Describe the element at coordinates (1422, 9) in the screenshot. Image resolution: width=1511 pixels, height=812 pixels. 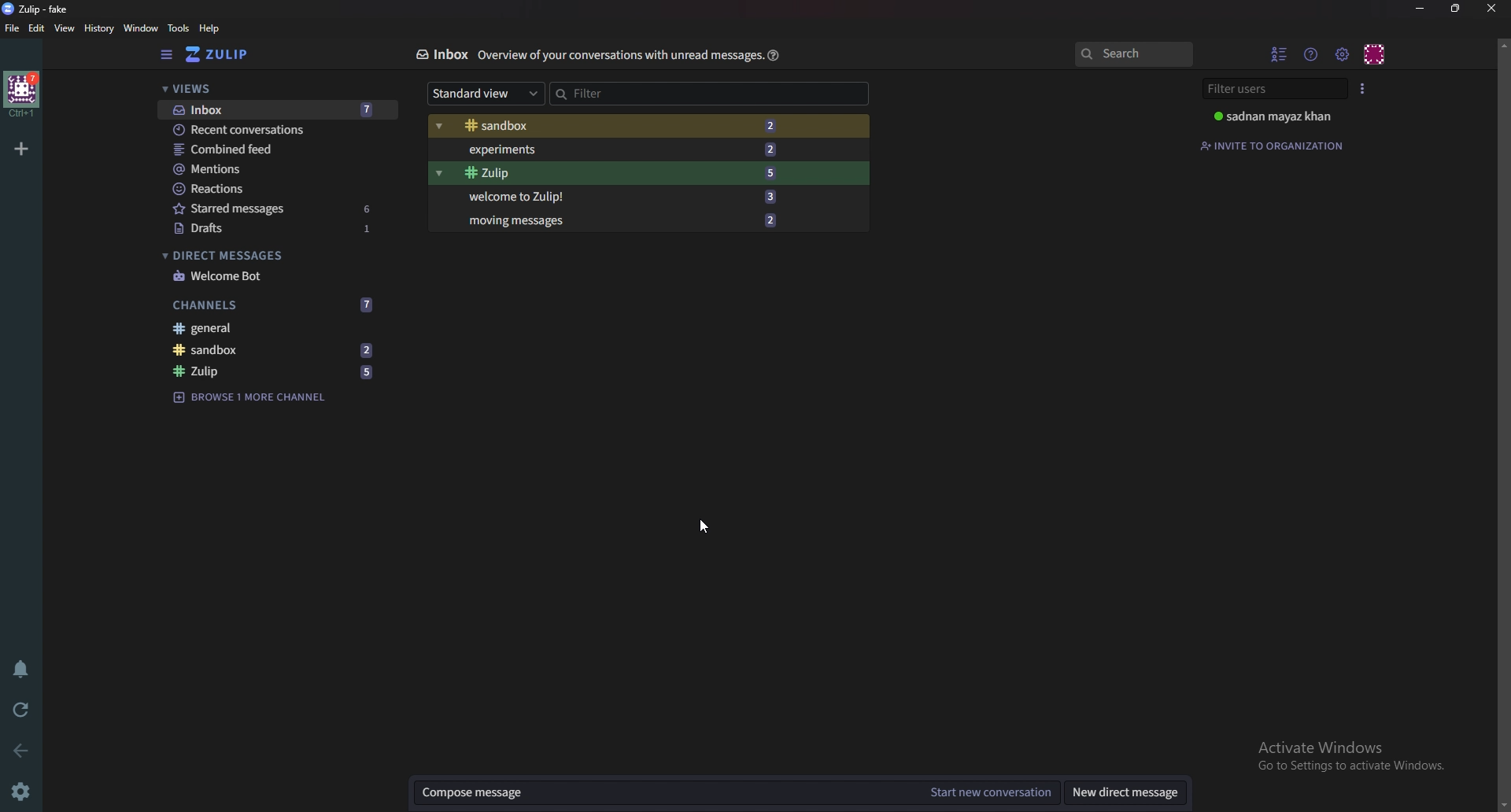
I see `minimize` at that location.